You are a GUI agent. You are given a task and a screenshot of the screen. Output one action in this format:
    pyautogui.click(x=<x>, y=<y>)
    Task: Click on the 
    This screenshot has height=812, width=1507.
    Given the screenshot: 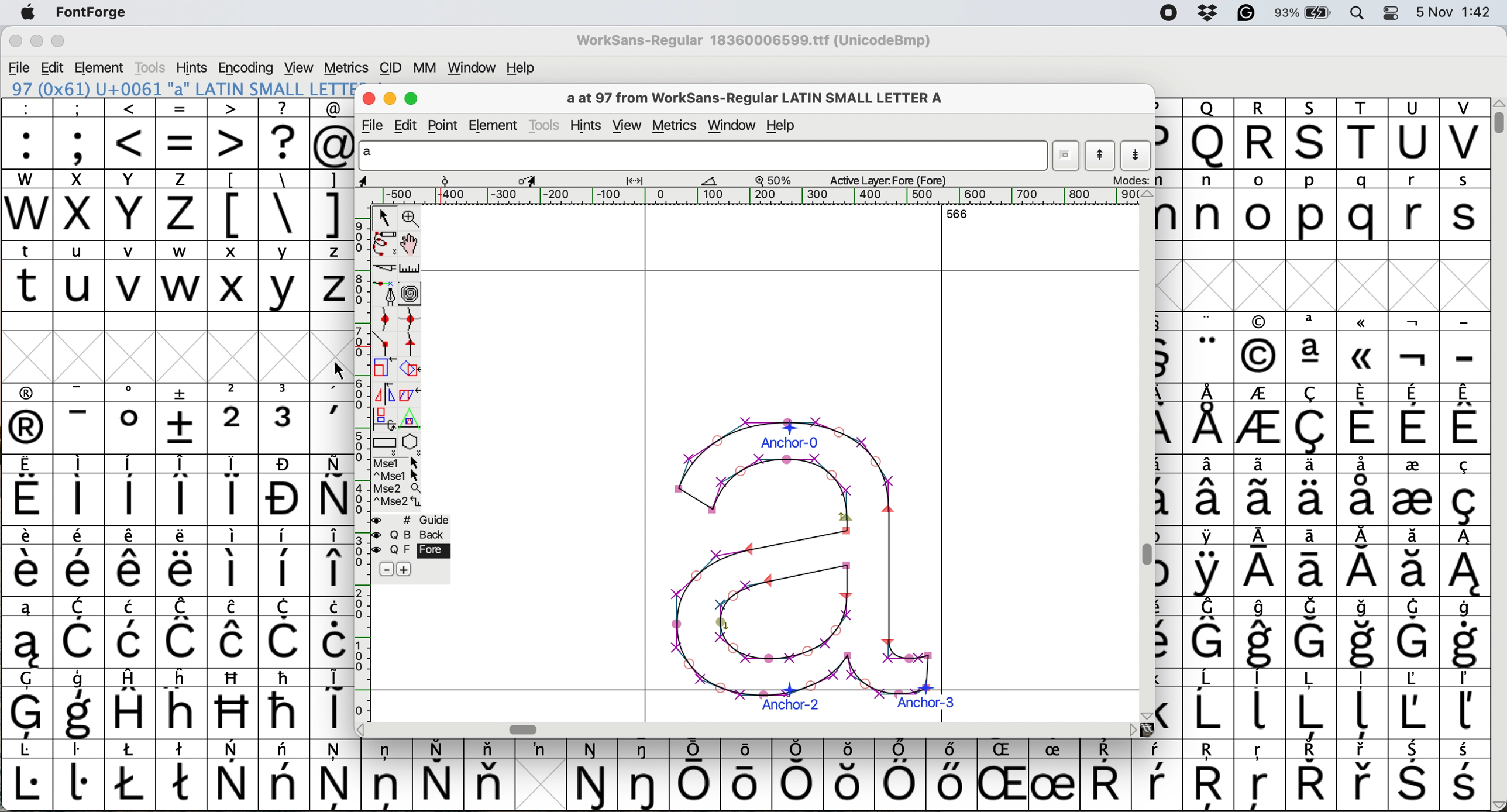 What is the action you would take?
    pyautogui.click(x=183, y=703)
    